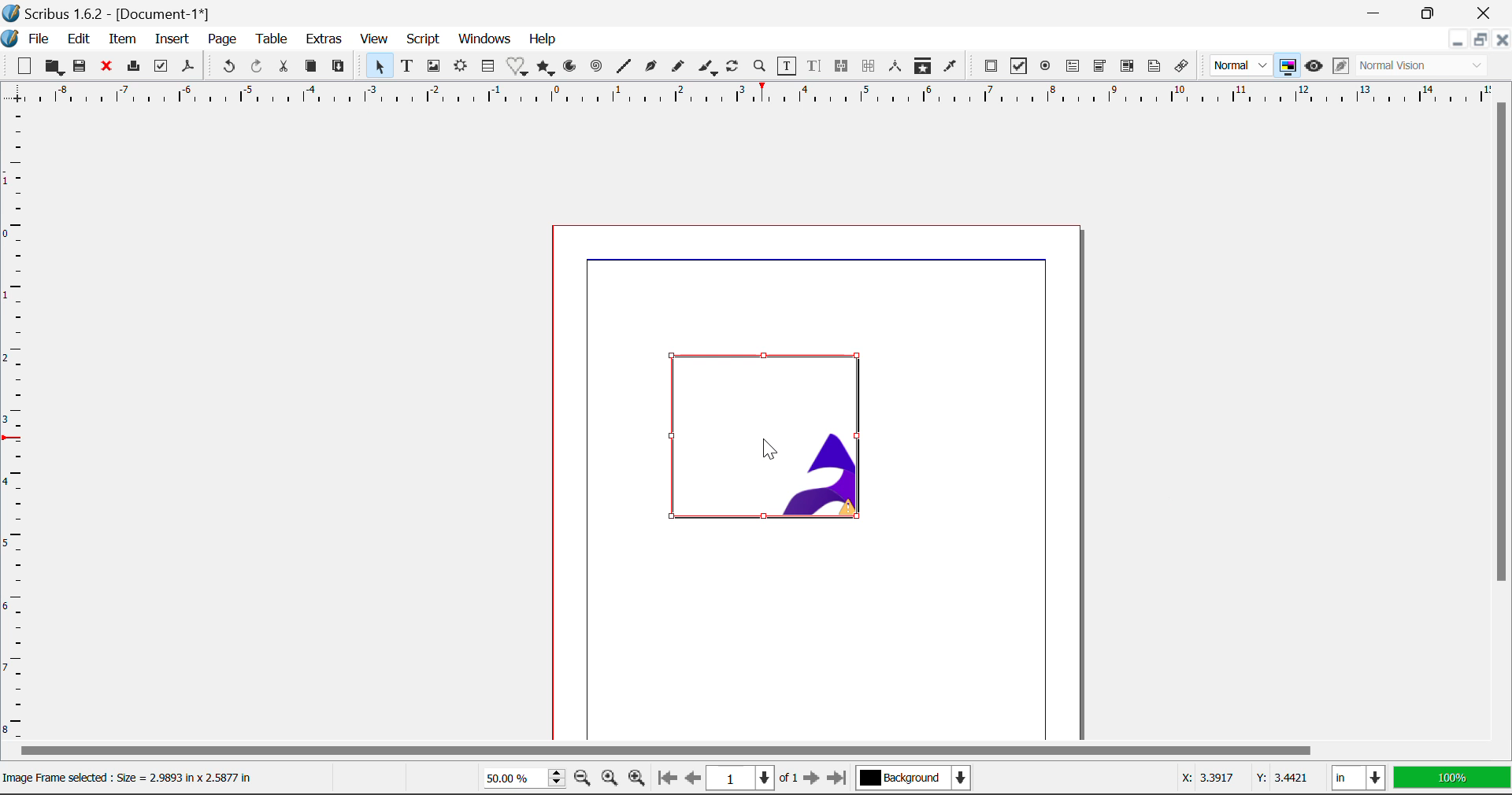  Describe the element at coordinates (843, 67) in the screenshot. I see `Link Text Frames` at that location.